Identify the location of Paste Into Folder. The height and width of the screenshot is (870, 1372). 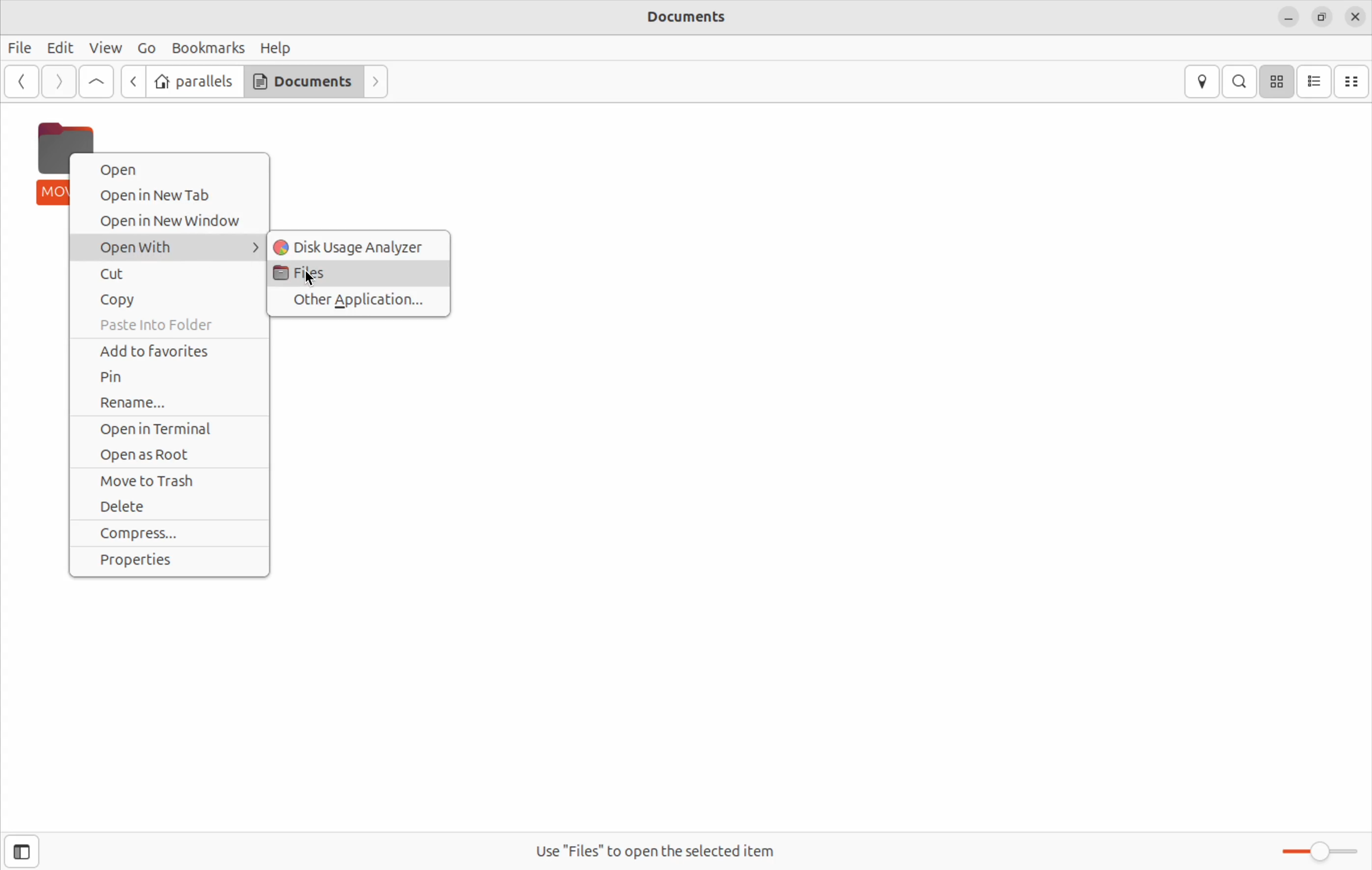
(168, 324).